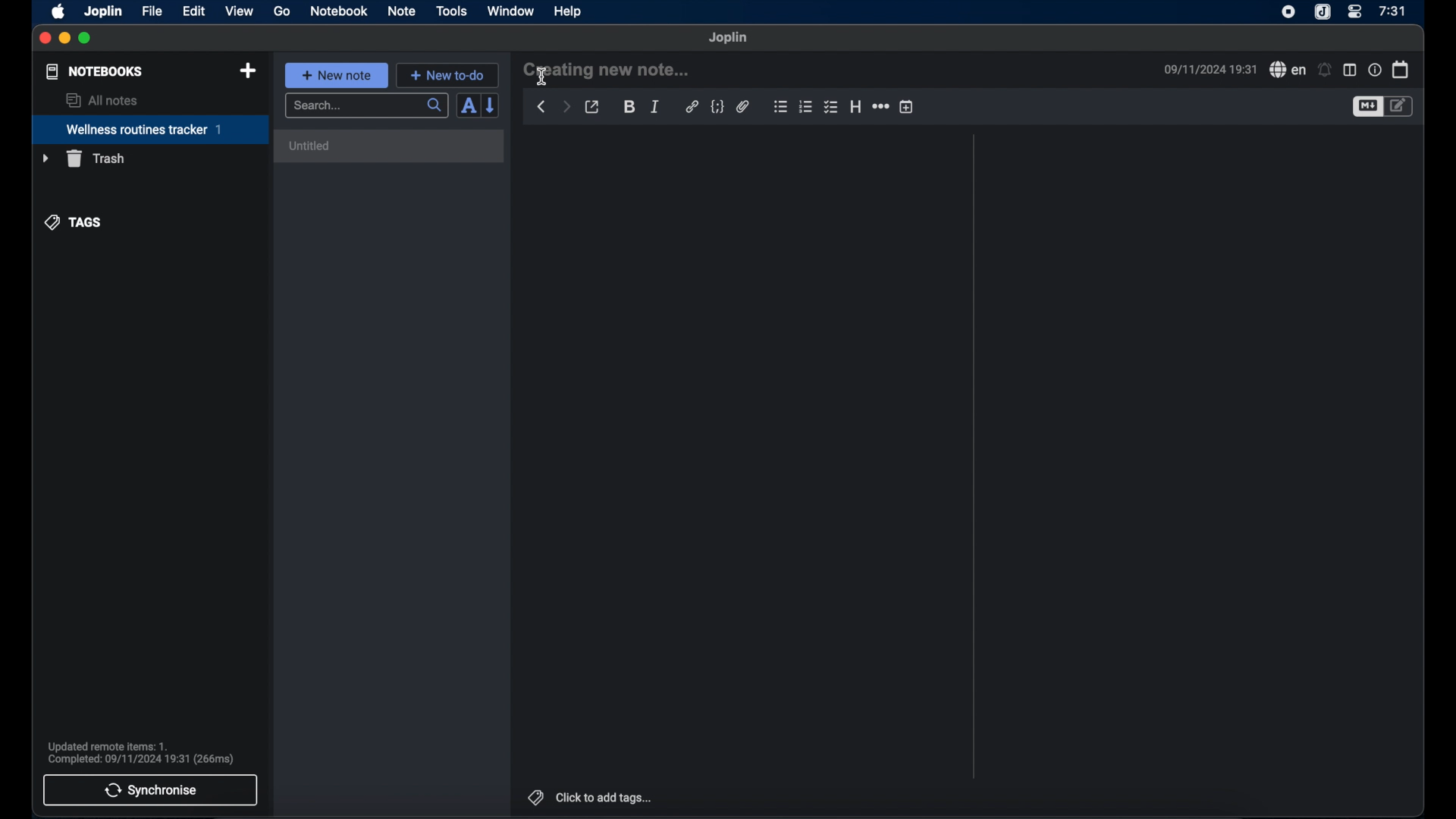 This screenshot has width=1456, height=819. Describe the element at coordinates (337, 75) in the screenshot. I see `+ new note` at that location.